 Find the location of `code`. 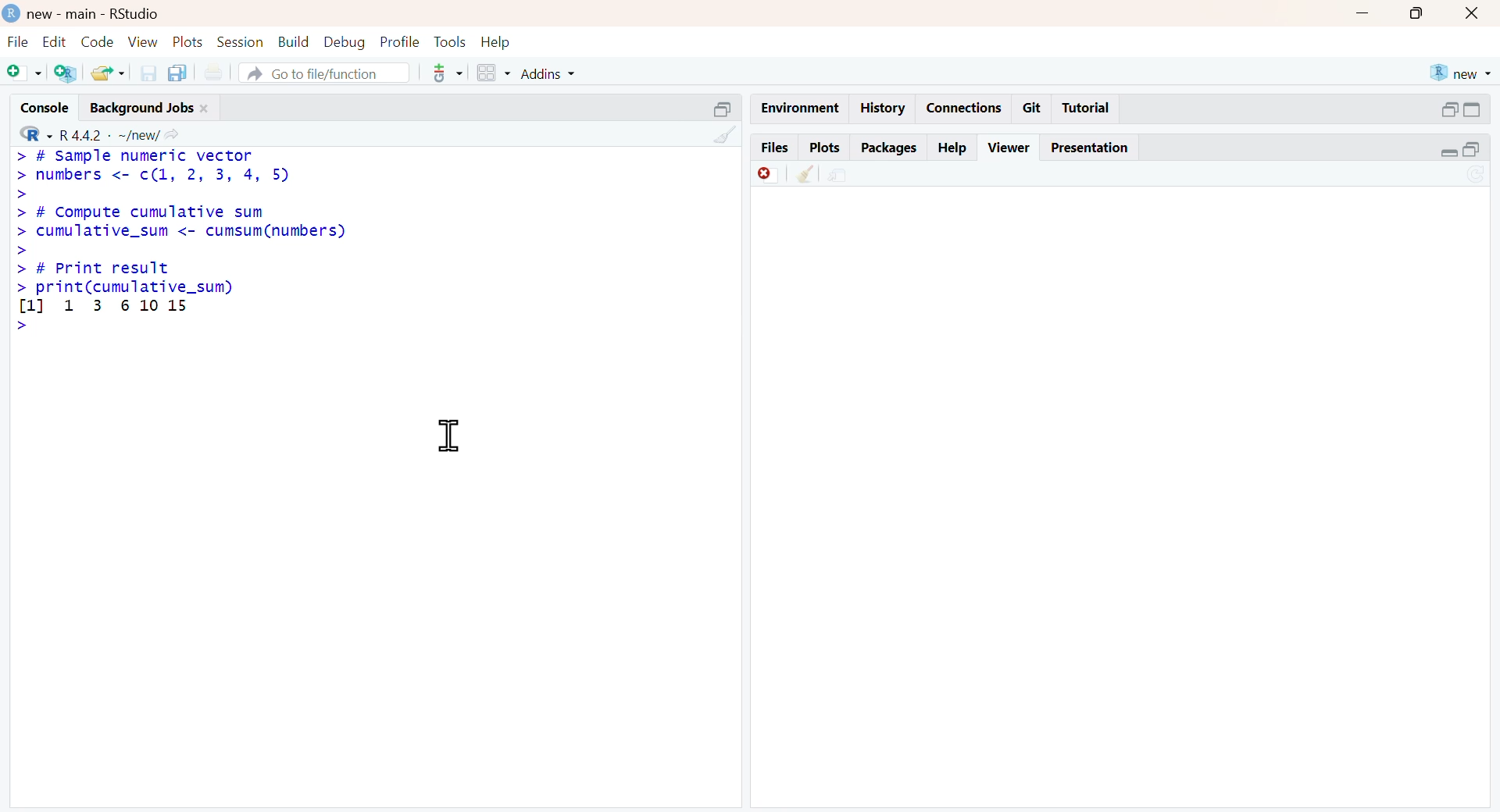

code is located at coordinates (97, 41).